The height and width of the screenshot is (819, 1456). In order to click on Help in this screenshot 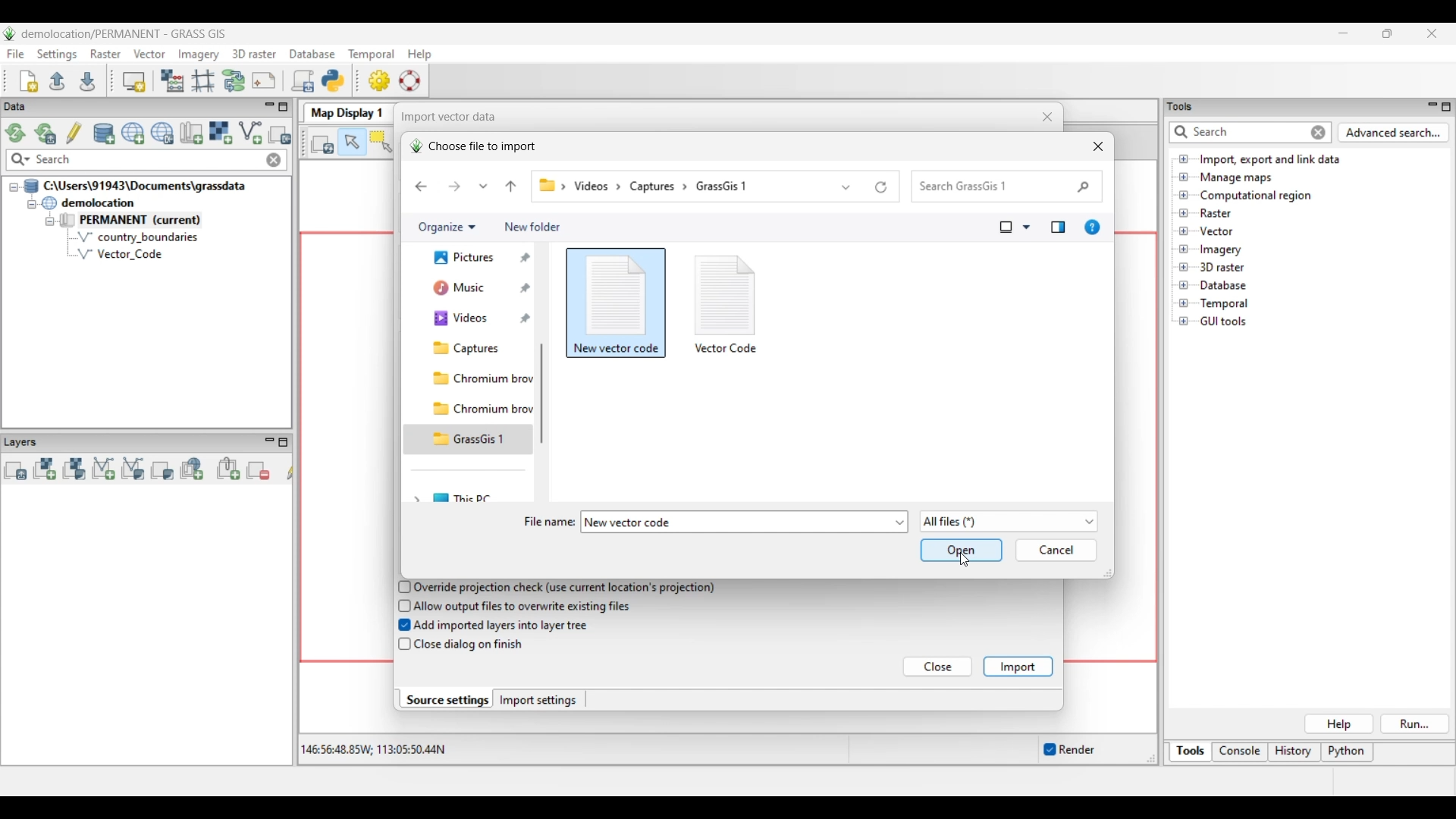, I will do `click(1338, 724)`.